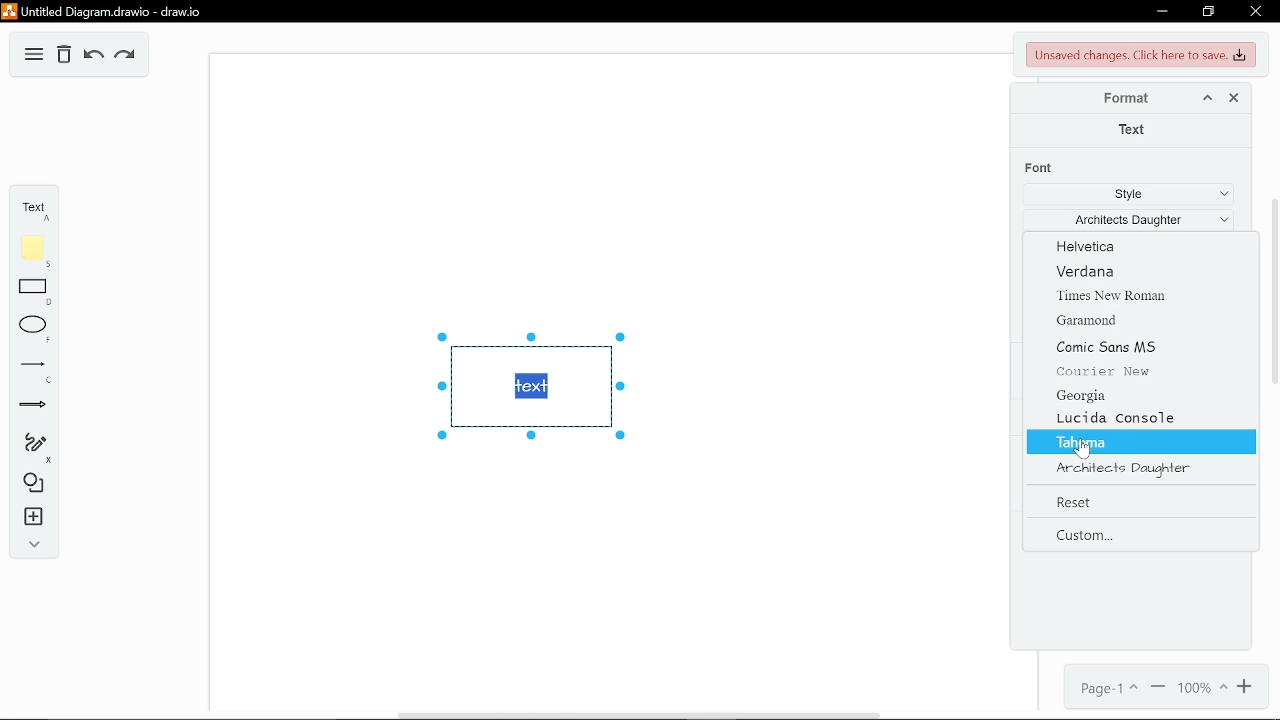 This screenshot has height=720, width=1280. I want to click on garamond, so click(1136, 319).